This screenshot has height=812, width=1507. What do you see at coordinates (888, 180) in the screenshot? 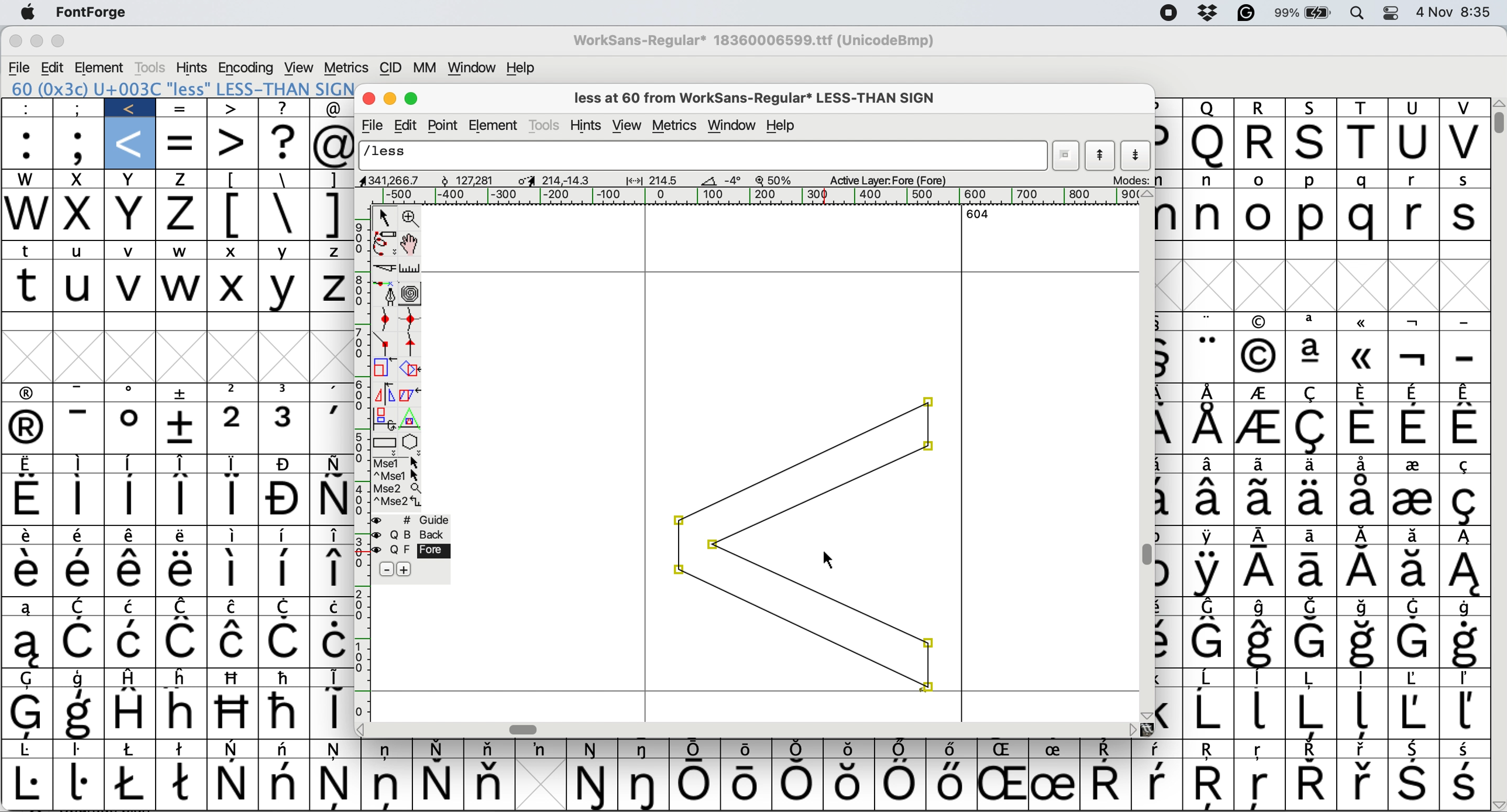
I see `active layer` at bounding box center [888, 180].